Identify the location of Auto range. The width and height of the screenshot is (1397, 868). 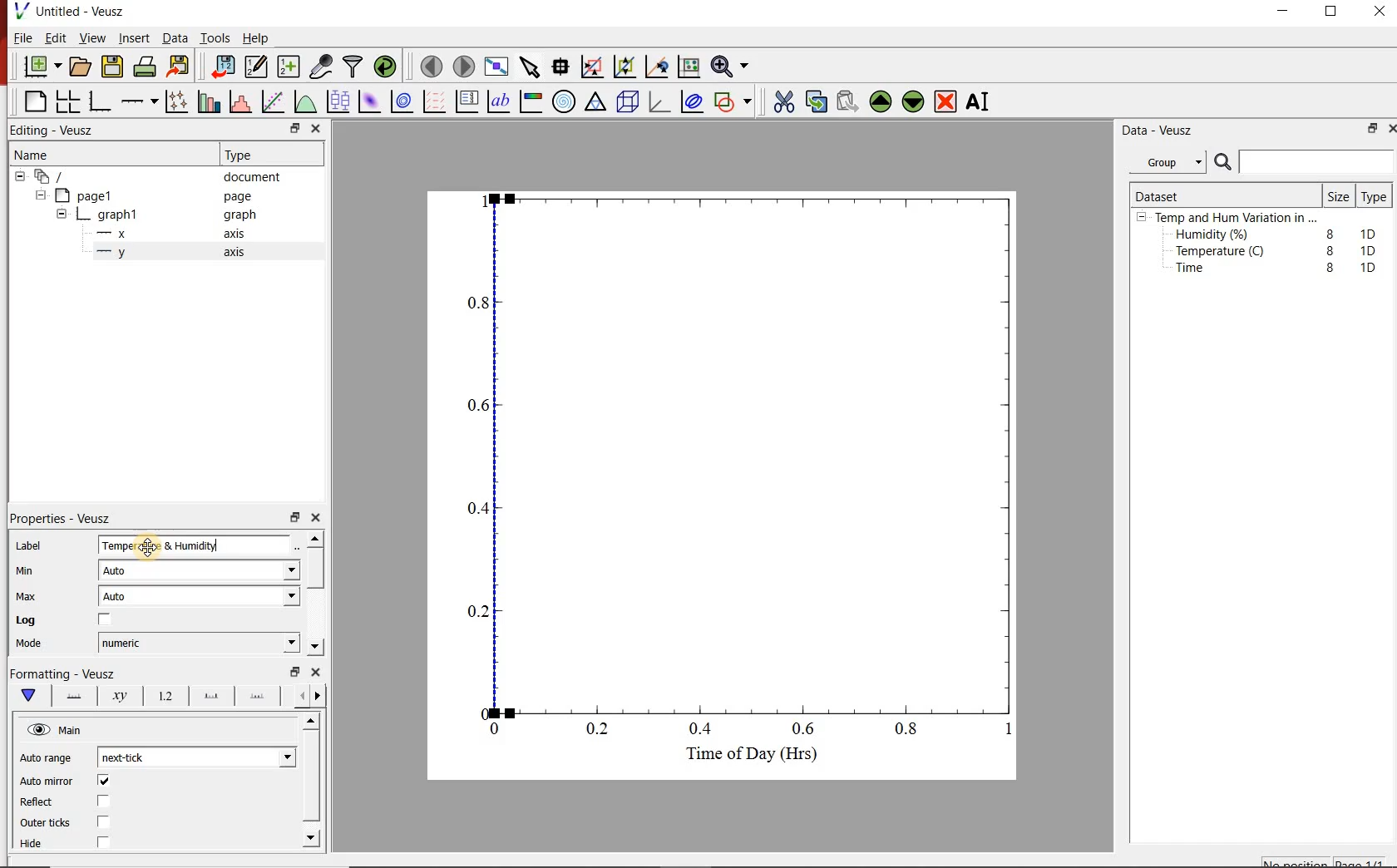
(49, 759).